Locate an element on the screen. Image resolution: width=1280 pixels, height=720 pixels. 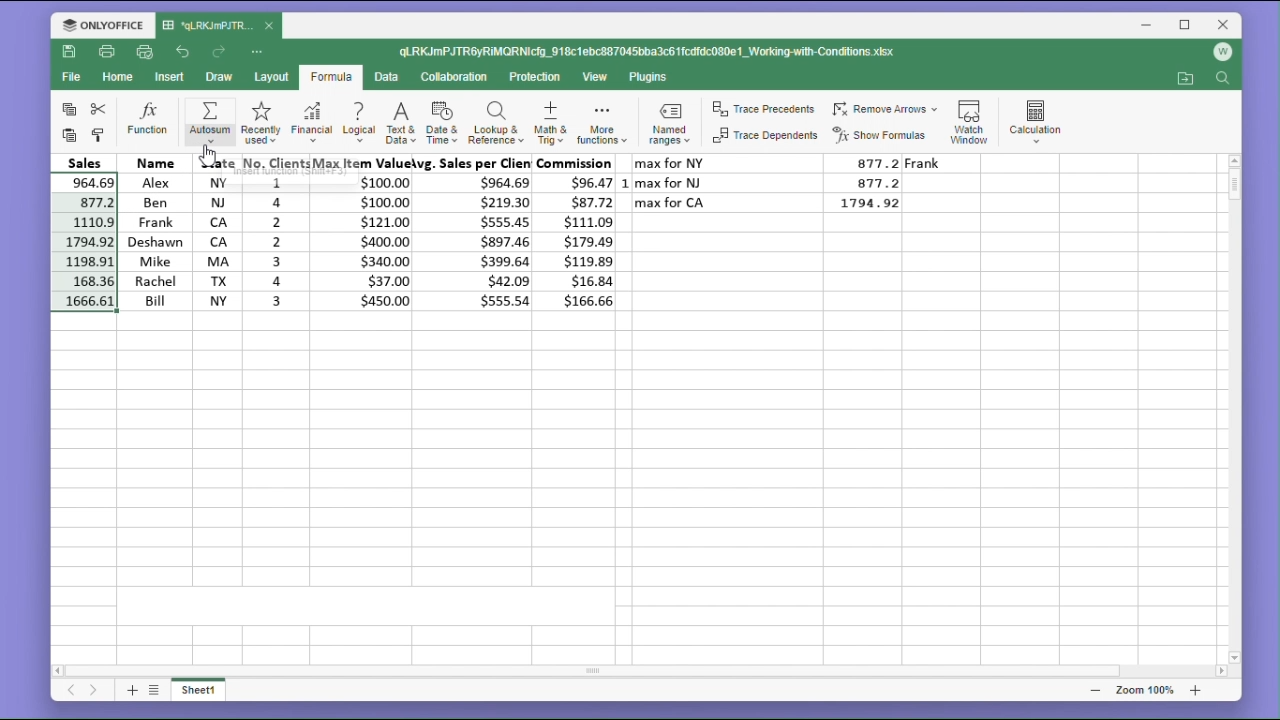
sheet 1 is located at coordinates (206, 692).